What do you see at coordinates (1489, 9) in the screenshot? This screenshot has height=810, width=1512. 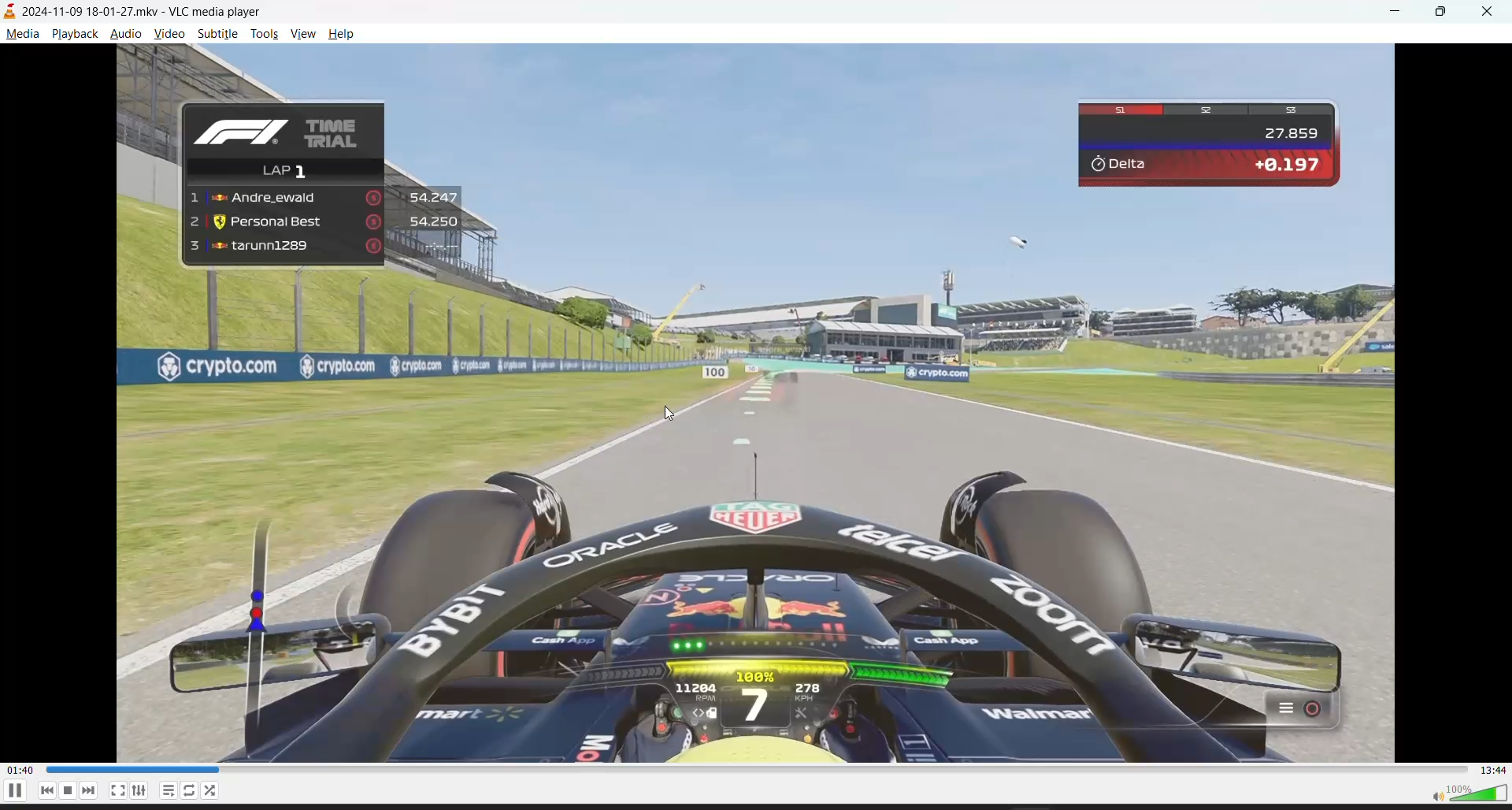 I see `close` at bounding box center [1489, 9].